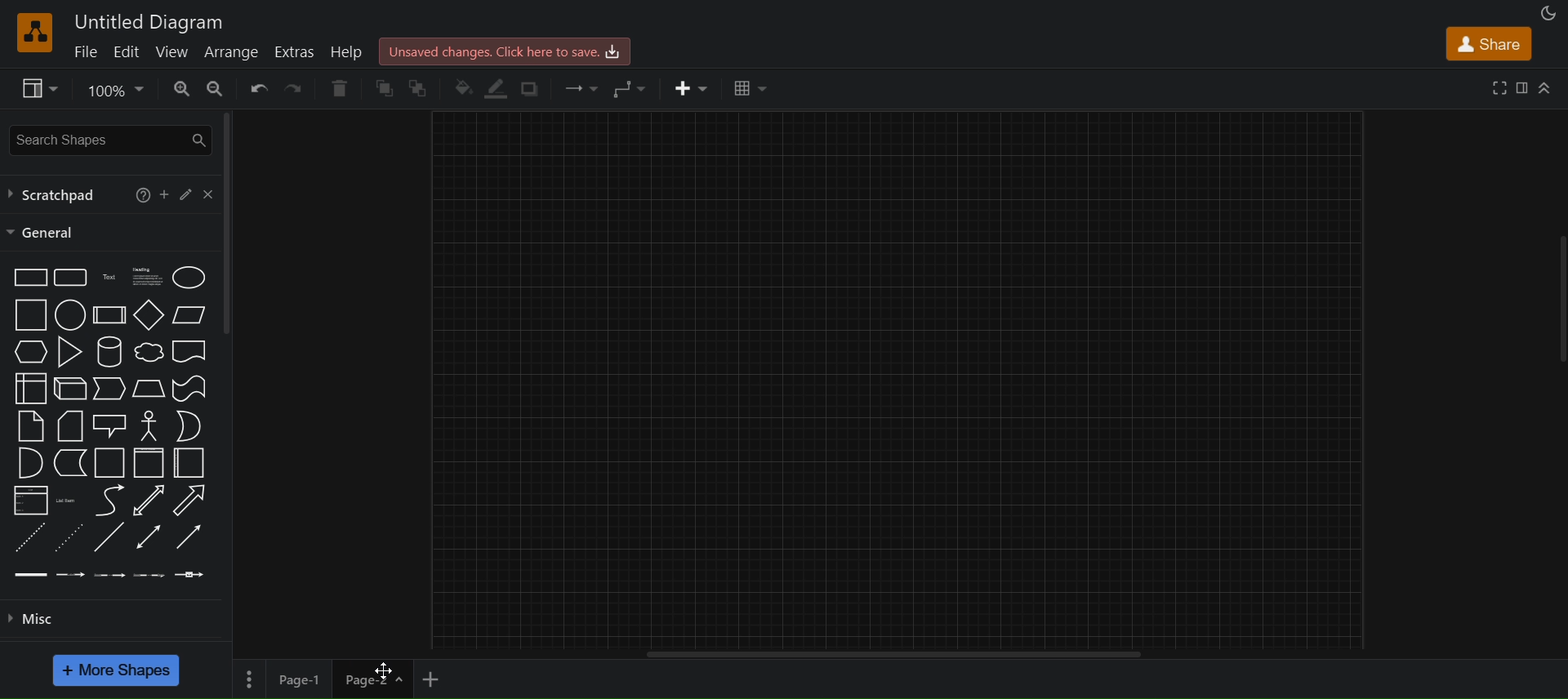 Image resolution: width=1568 pixels, height=699 pixels. Describe the element at coordinates (147, 353) in the screenshot. I see `cloud` at that location.